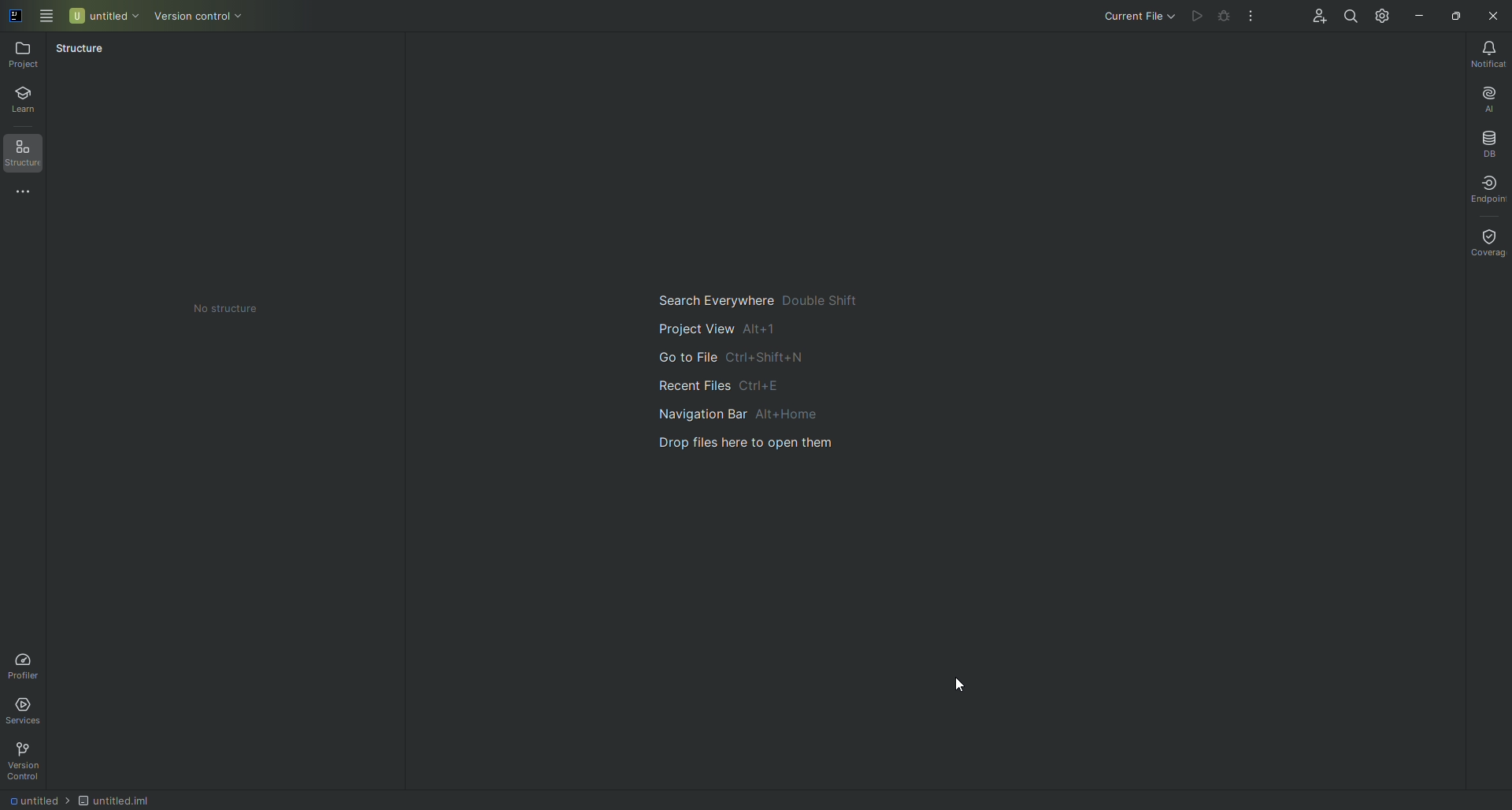  Describe the element at coordinates (1349, 15) in the screenshot. I see `Search` at that location.